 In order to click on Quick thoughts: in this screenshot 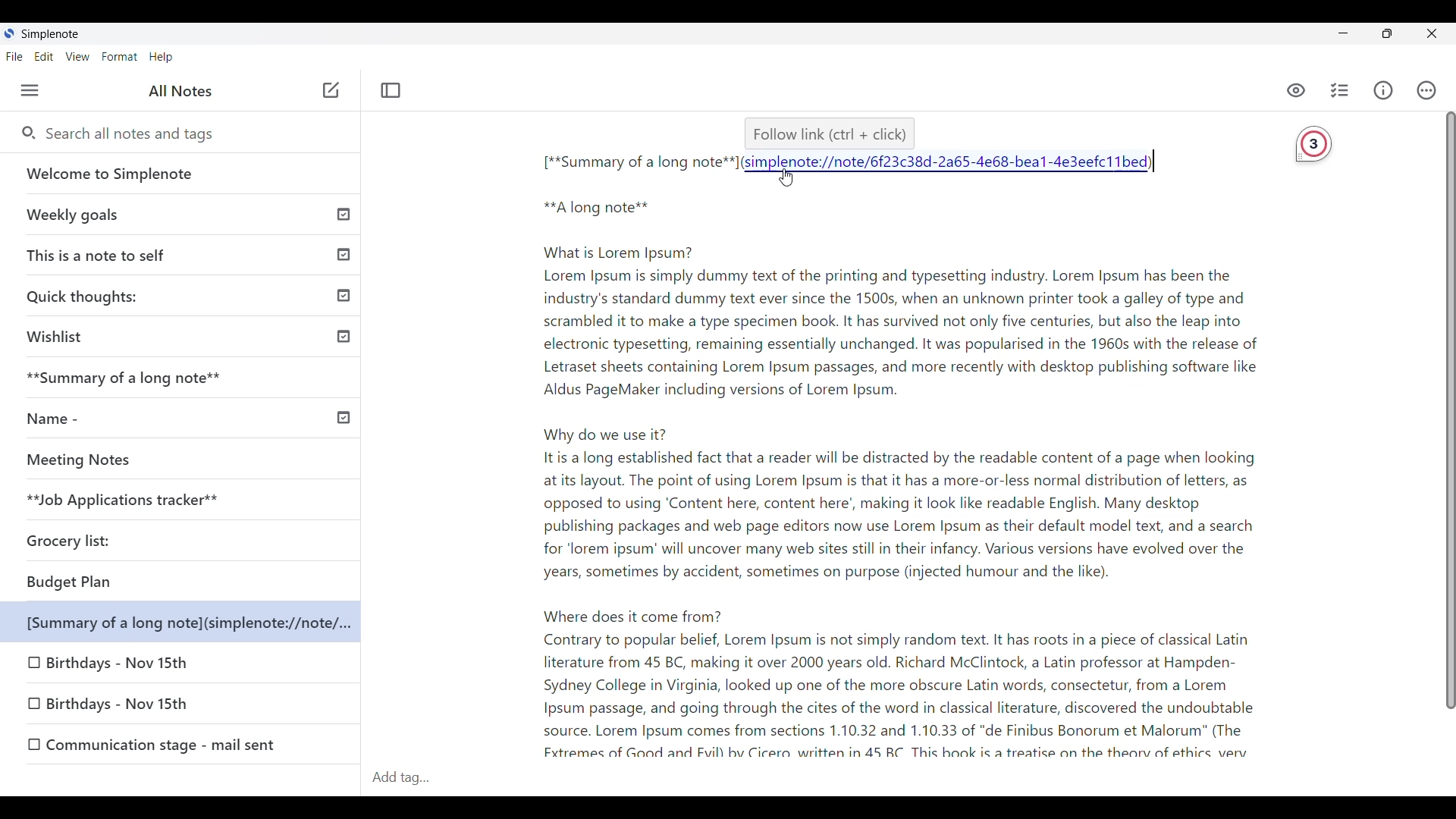, I will do `click(187, 293)`.